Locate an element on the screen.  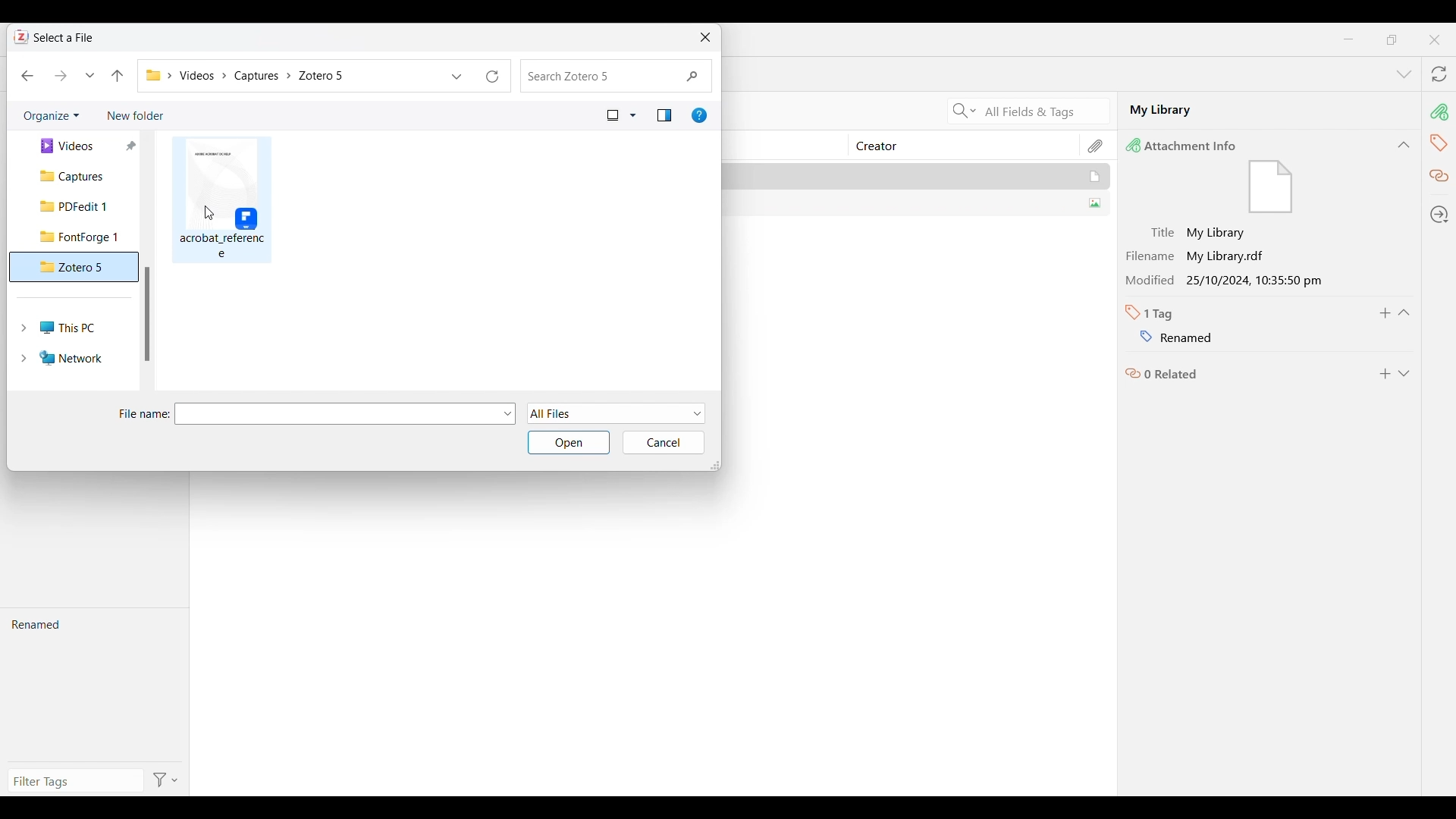
This PC is located at coordinates (74, 326).